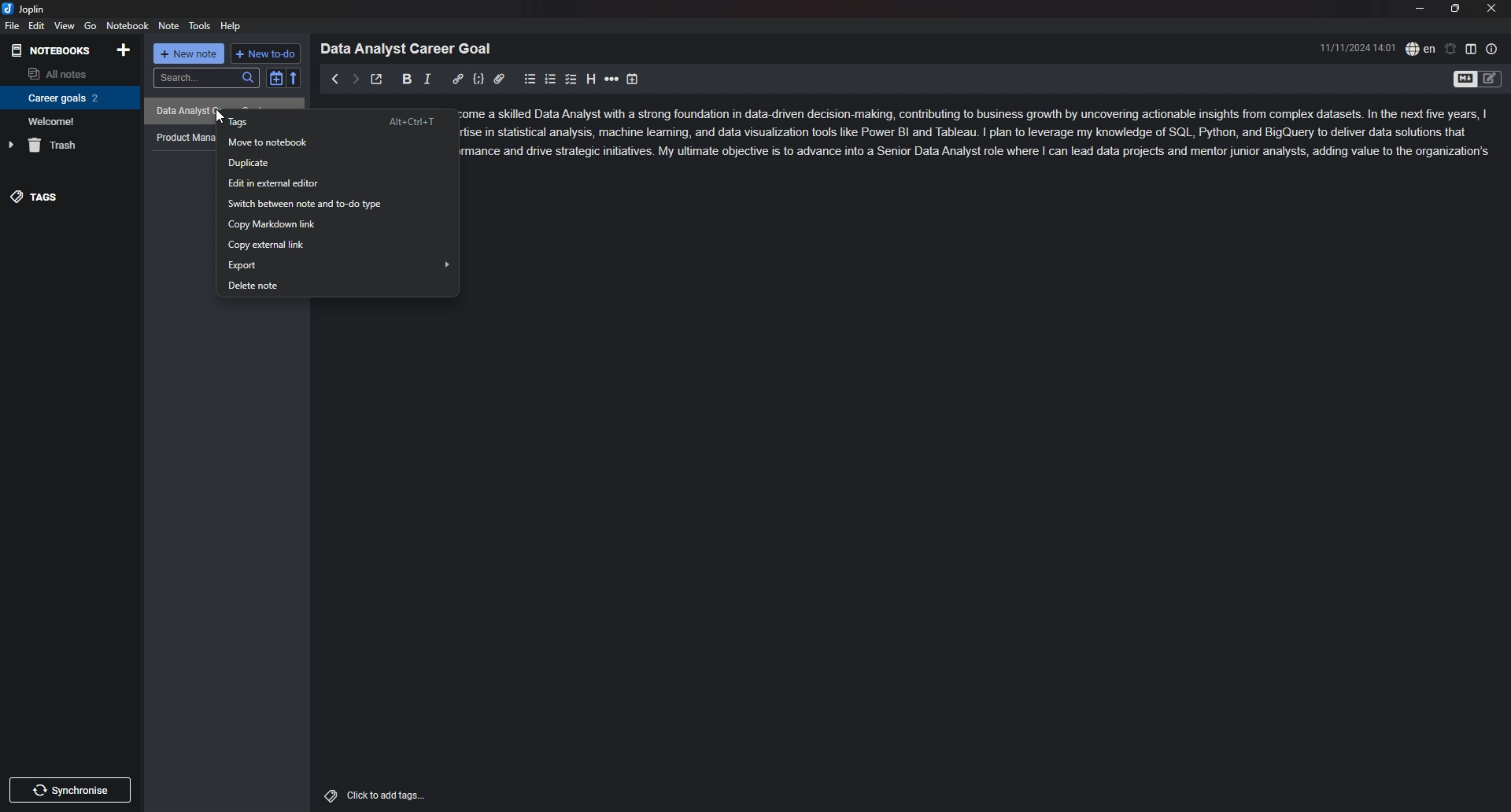 The image size is (1511, 812). What do you see at coordinates (200, 26) in the screenshot?
I see `tools` at bounding box center [200, 26].